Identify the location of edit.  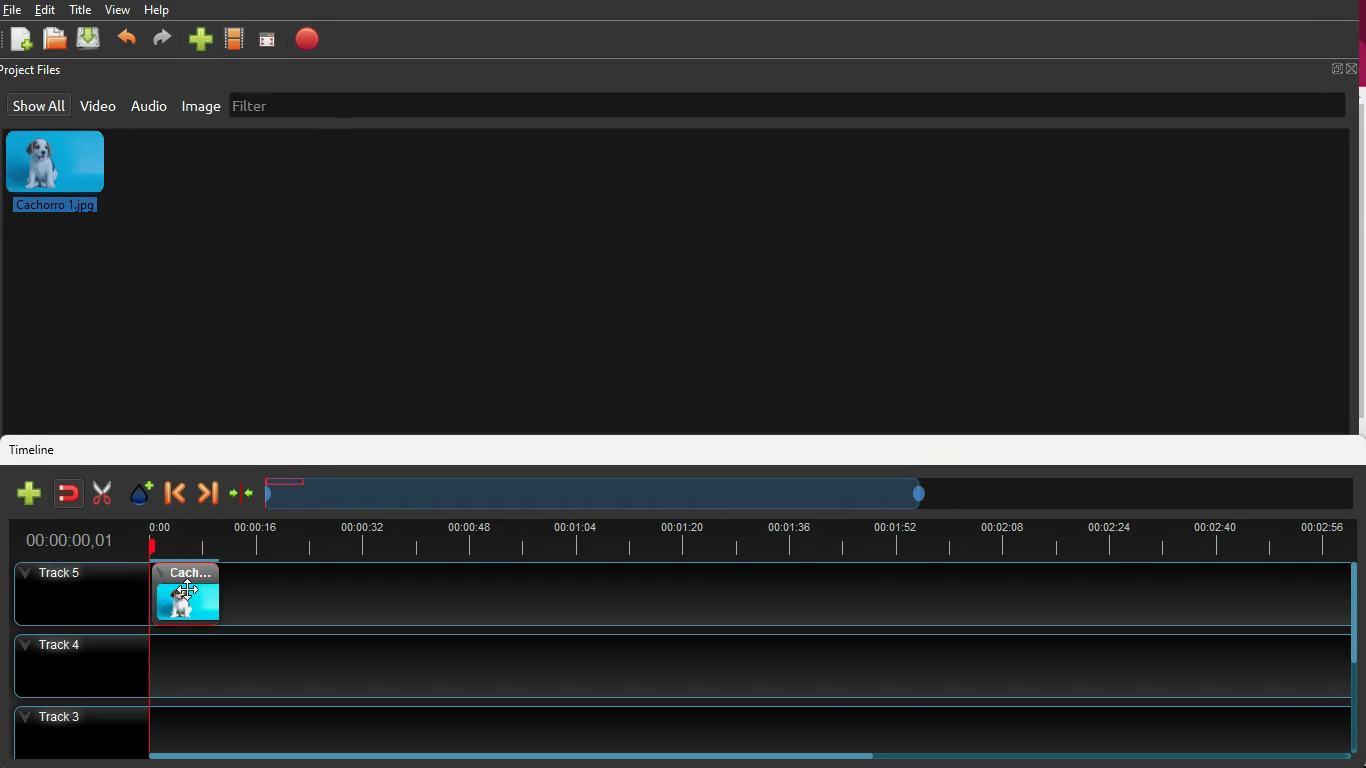
(47, 10).